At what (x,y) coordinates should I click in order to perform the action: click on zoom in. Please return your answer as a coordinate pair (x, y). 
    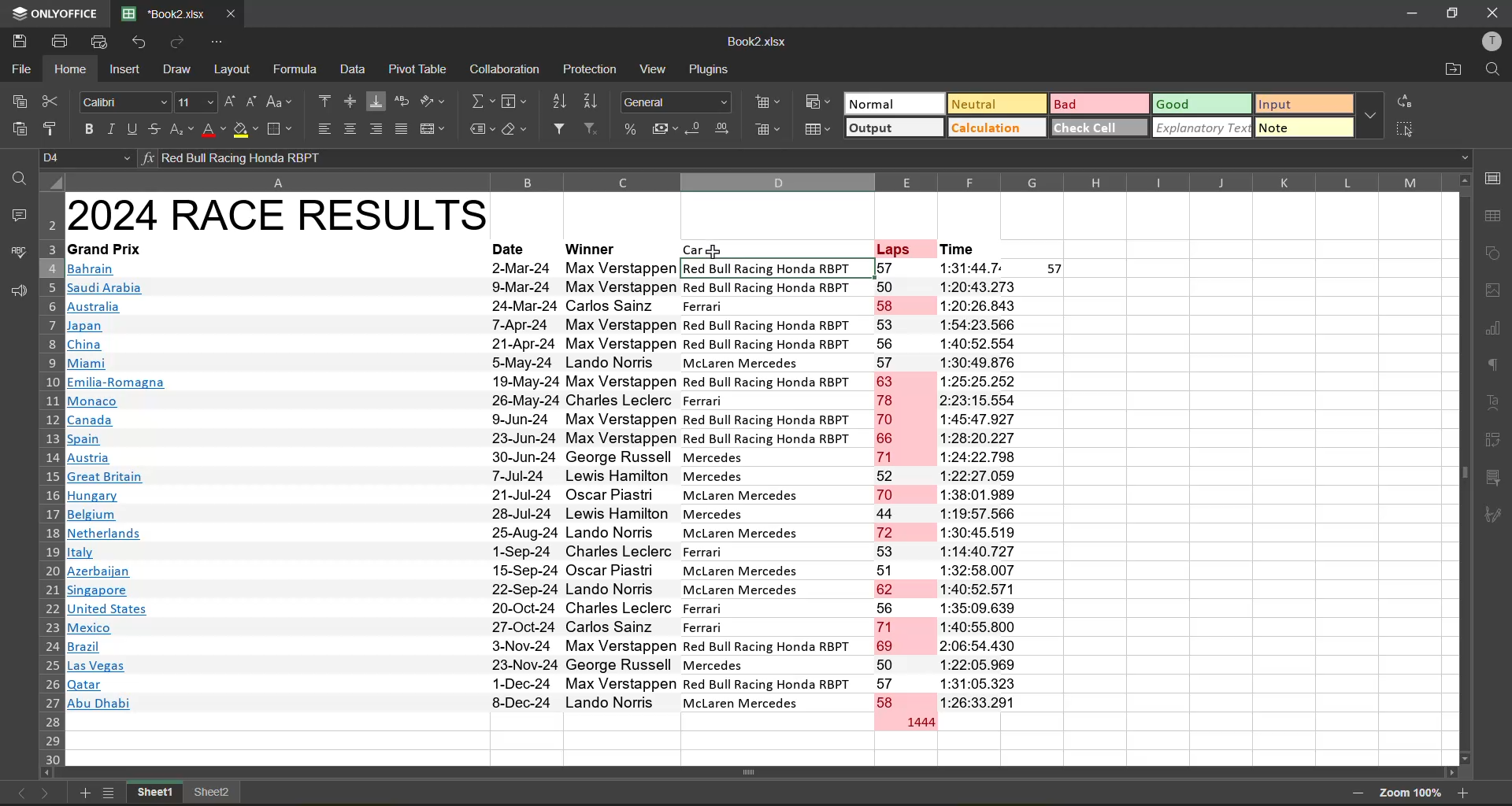
    Looking at the image, I should click on (1465, 792).